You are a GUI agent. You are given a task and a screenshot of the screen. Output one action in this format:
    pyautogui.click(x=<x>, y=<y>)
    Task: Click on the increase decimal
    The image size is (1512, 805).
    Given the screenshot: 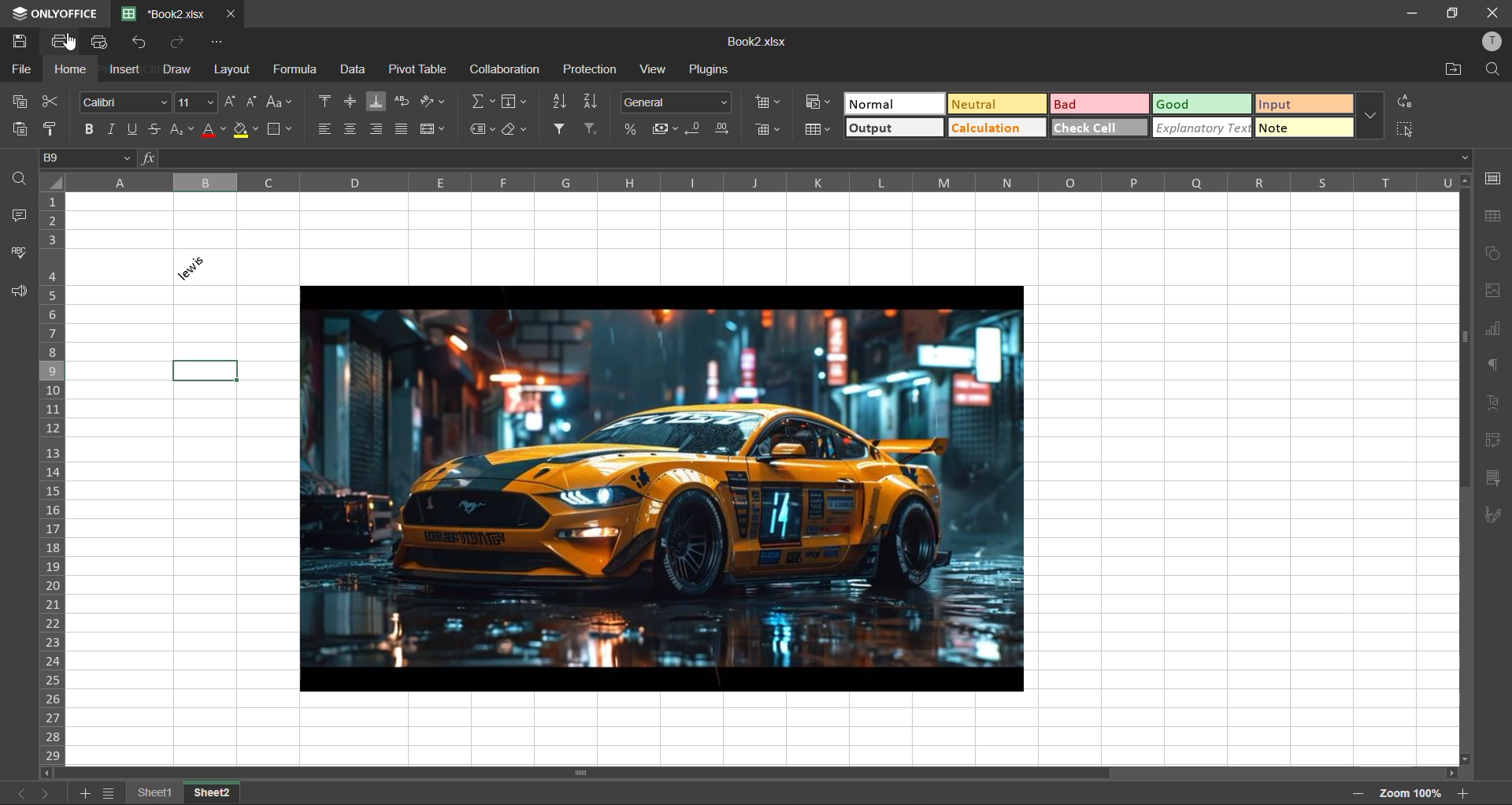 What is the action you would take?
    pyautogui.click(x=724, y=129)
    